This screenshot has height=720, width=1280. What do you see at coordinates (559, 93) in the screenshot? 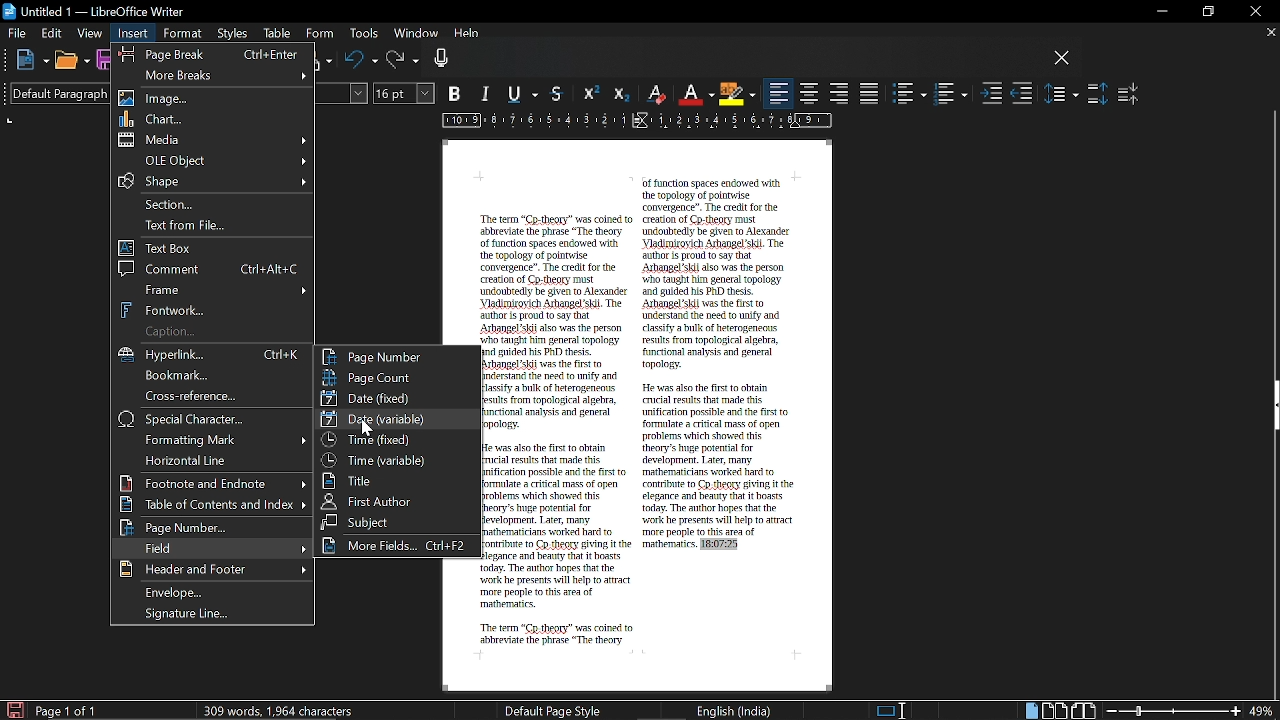
I see `strikethrough` at bounding box center [559, 93].